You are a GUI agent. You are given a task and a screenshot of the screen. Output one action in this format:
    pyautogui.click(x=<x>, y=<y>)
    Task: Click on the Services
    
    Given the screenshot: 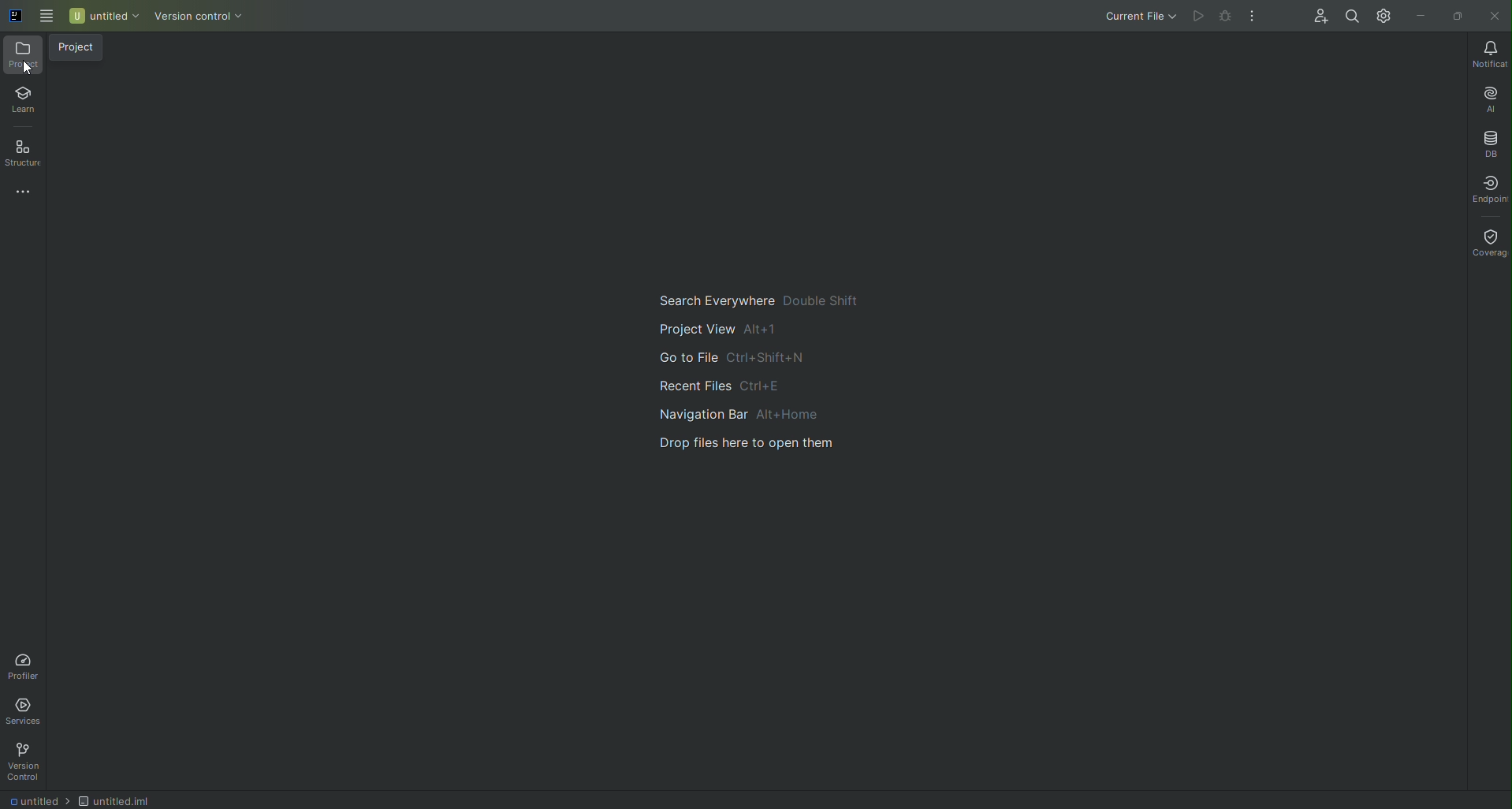 What is the action you would take?
    pyautogui.click(x=26, y=712)
    